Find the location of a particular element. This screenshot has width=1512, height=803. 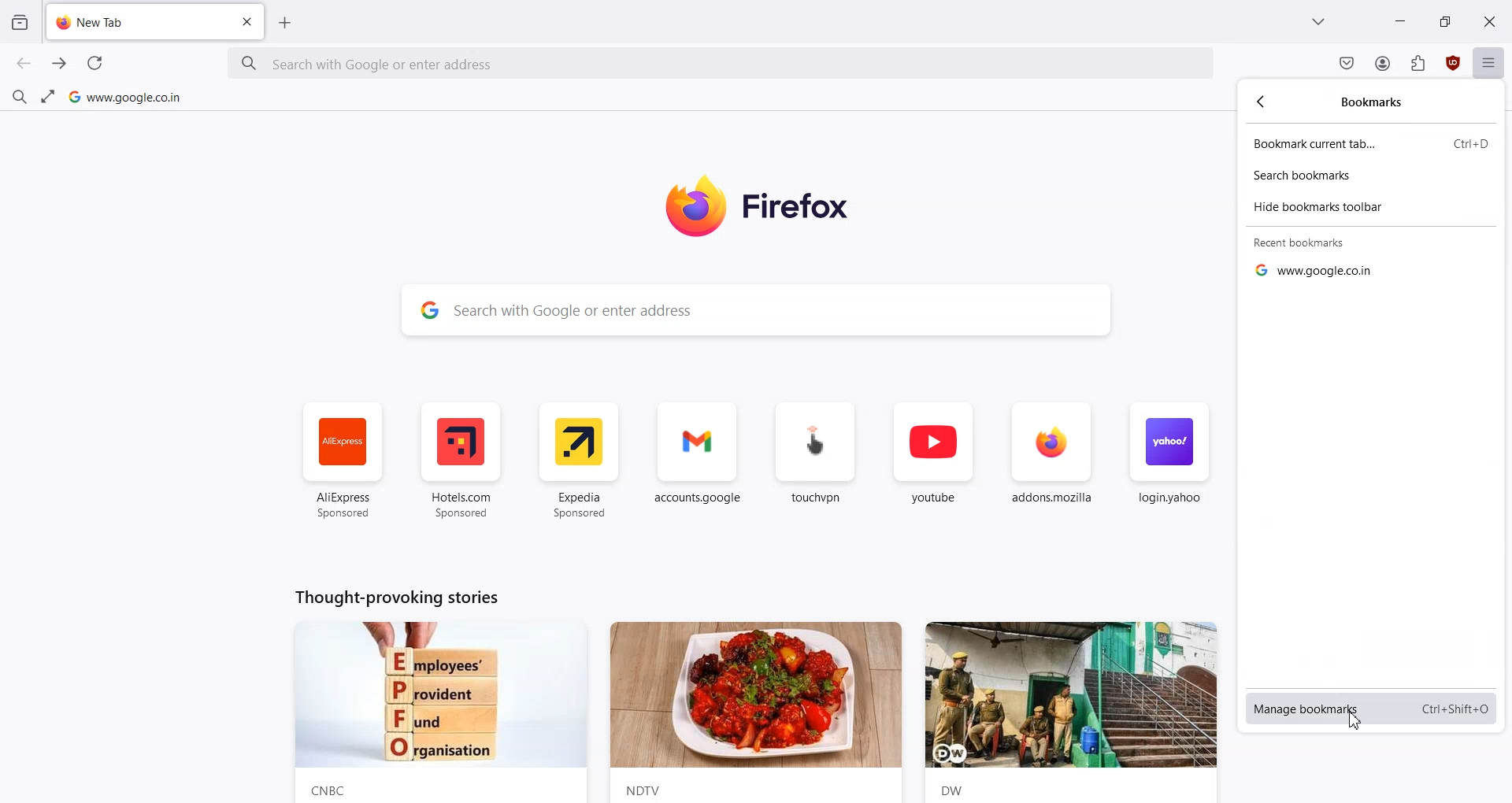

Close Tab is located at coordinates (247, 22).